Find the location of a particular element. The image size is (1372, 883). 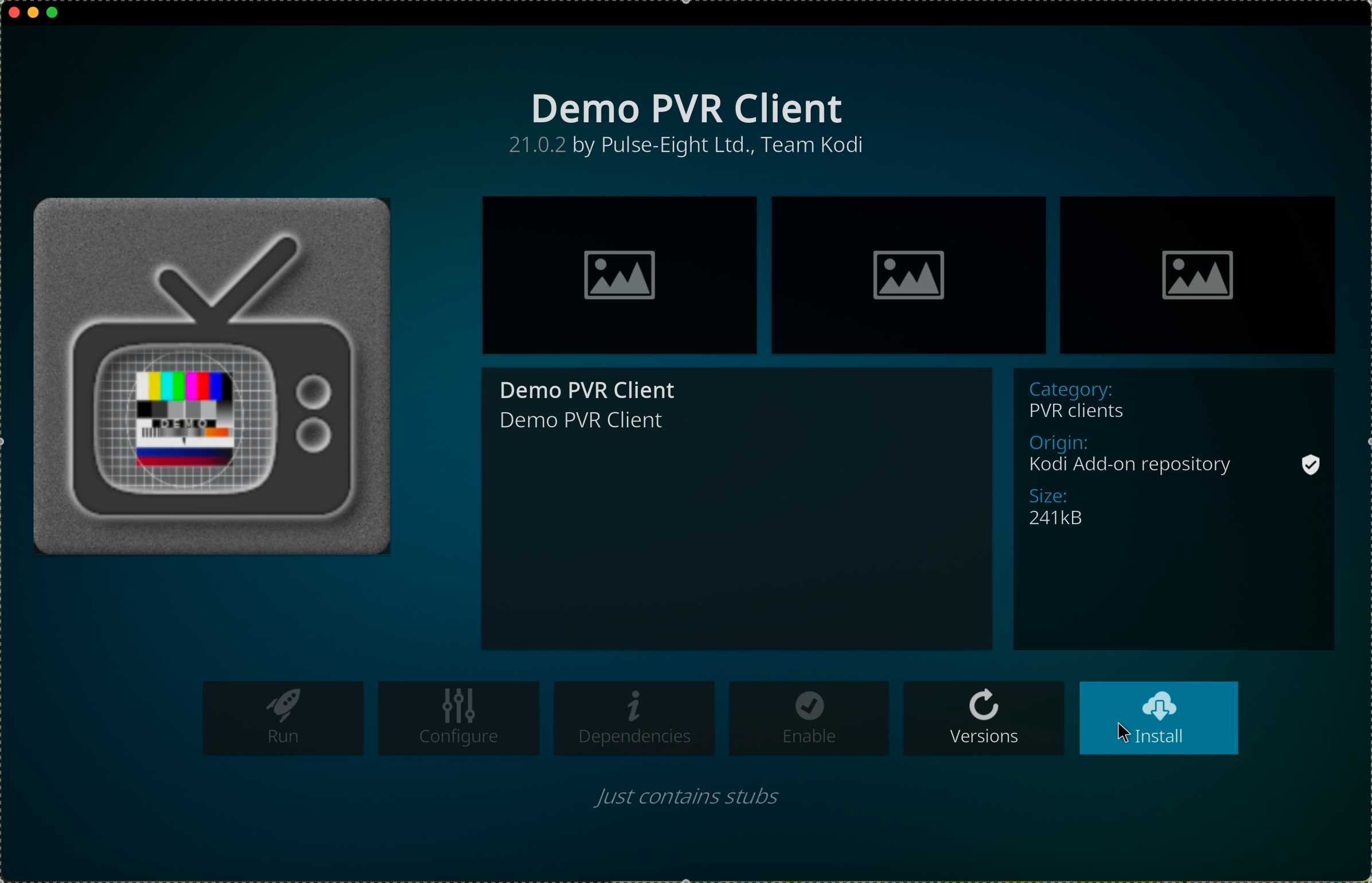

Logo is located at coordinates (224, 368).